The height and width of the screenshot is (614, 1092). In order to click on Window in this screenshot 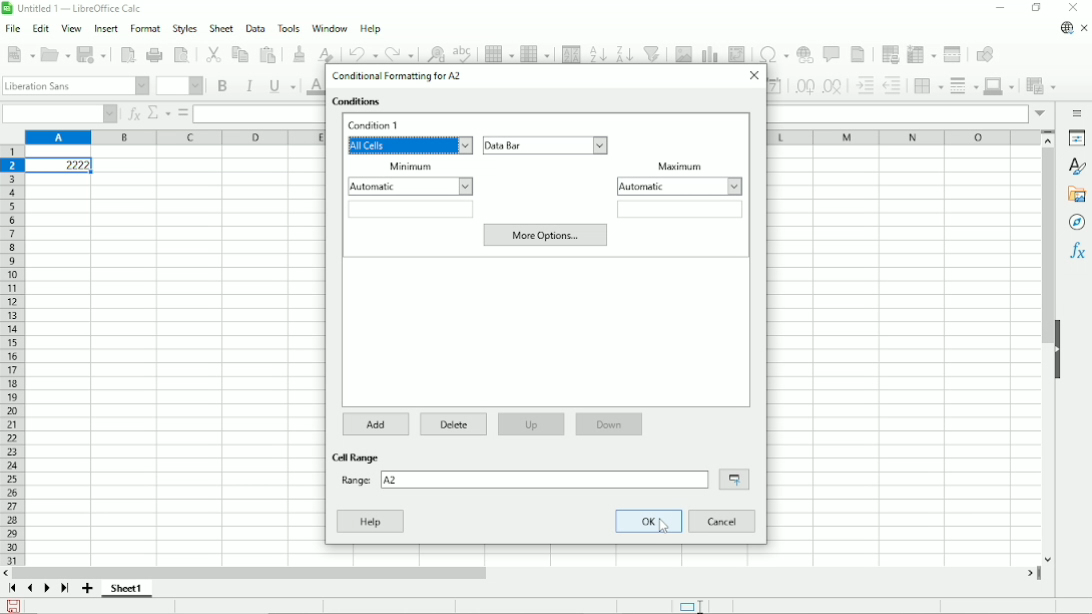, I will do `click(330, 28)`.